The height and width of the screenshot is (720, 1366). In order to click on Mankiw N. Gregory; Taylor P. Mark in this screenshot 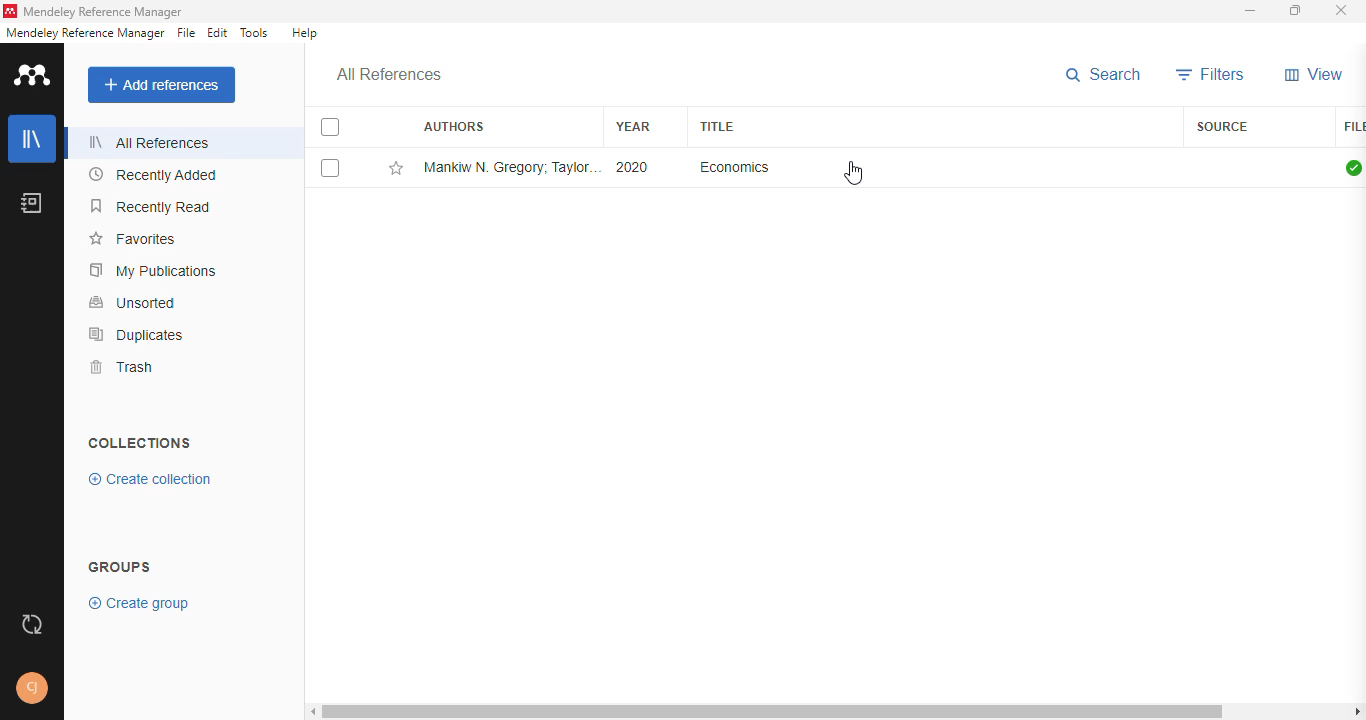, I will do `click(511, 166)`.